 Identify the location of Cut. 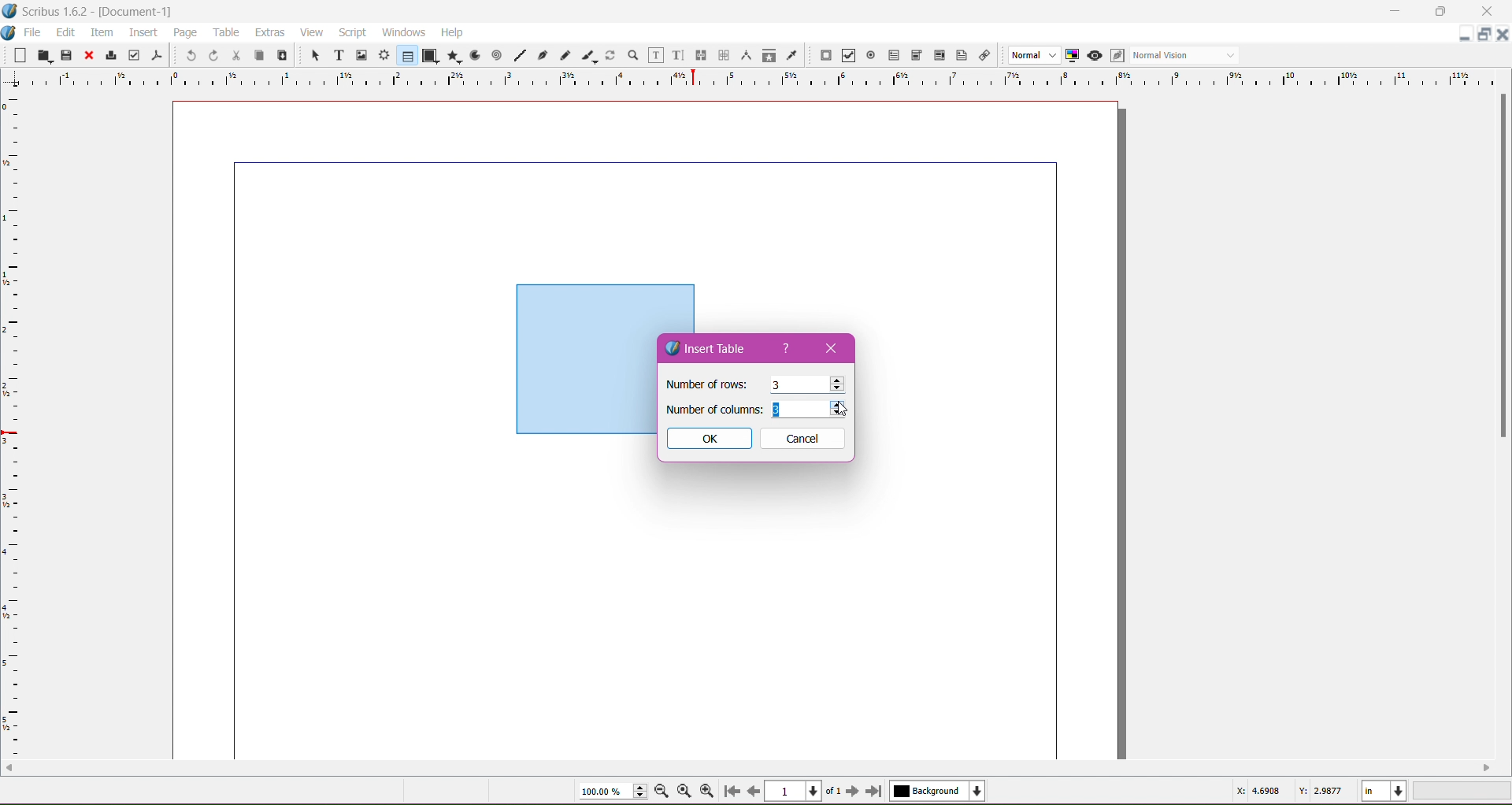
(233, 54).